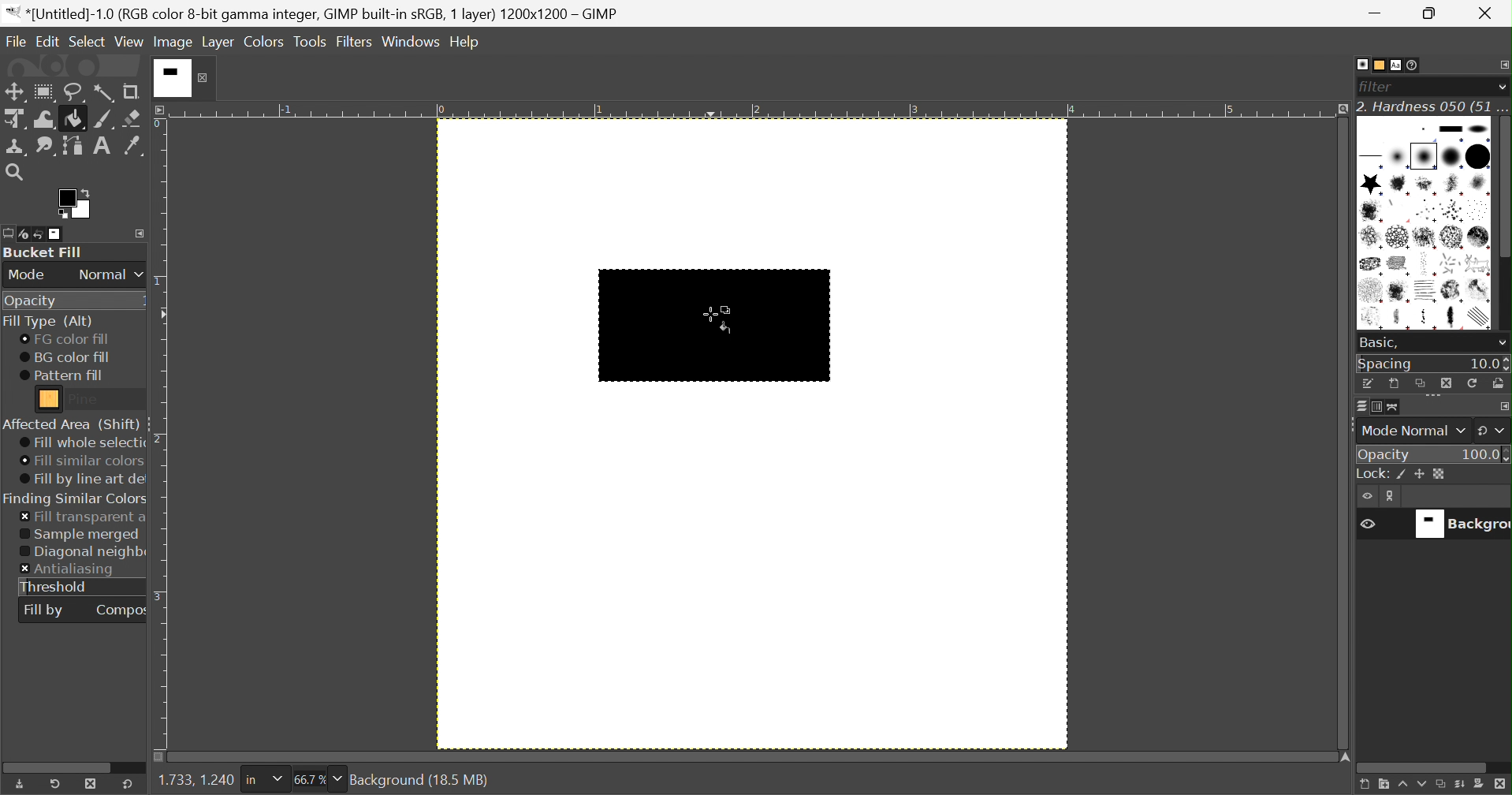 This screenshot has width=1512, height=795. Describe the element at coordinates (131, 92) in the screenshot. I see `Crop Tool` at that location.